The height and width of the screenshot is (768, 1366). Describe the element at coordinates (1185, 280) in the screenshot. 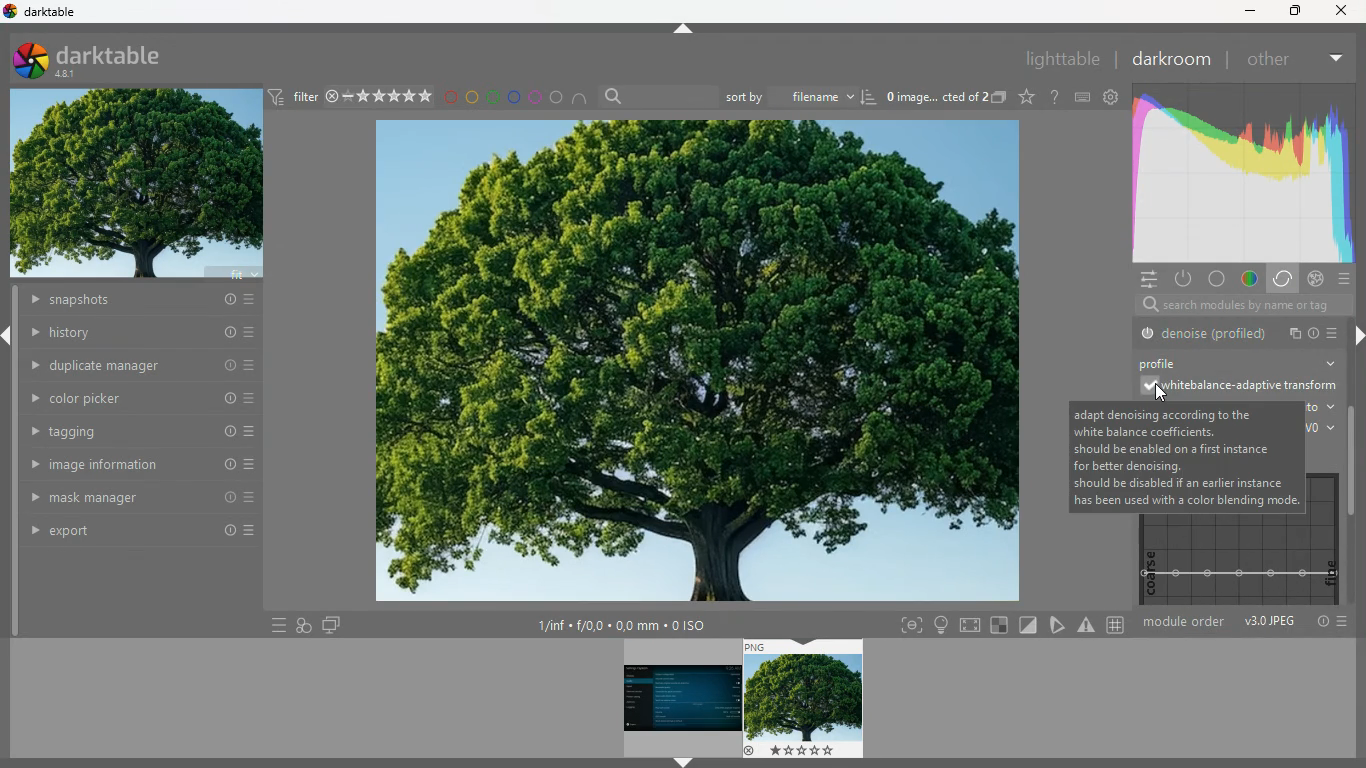

I see `power` at that location.